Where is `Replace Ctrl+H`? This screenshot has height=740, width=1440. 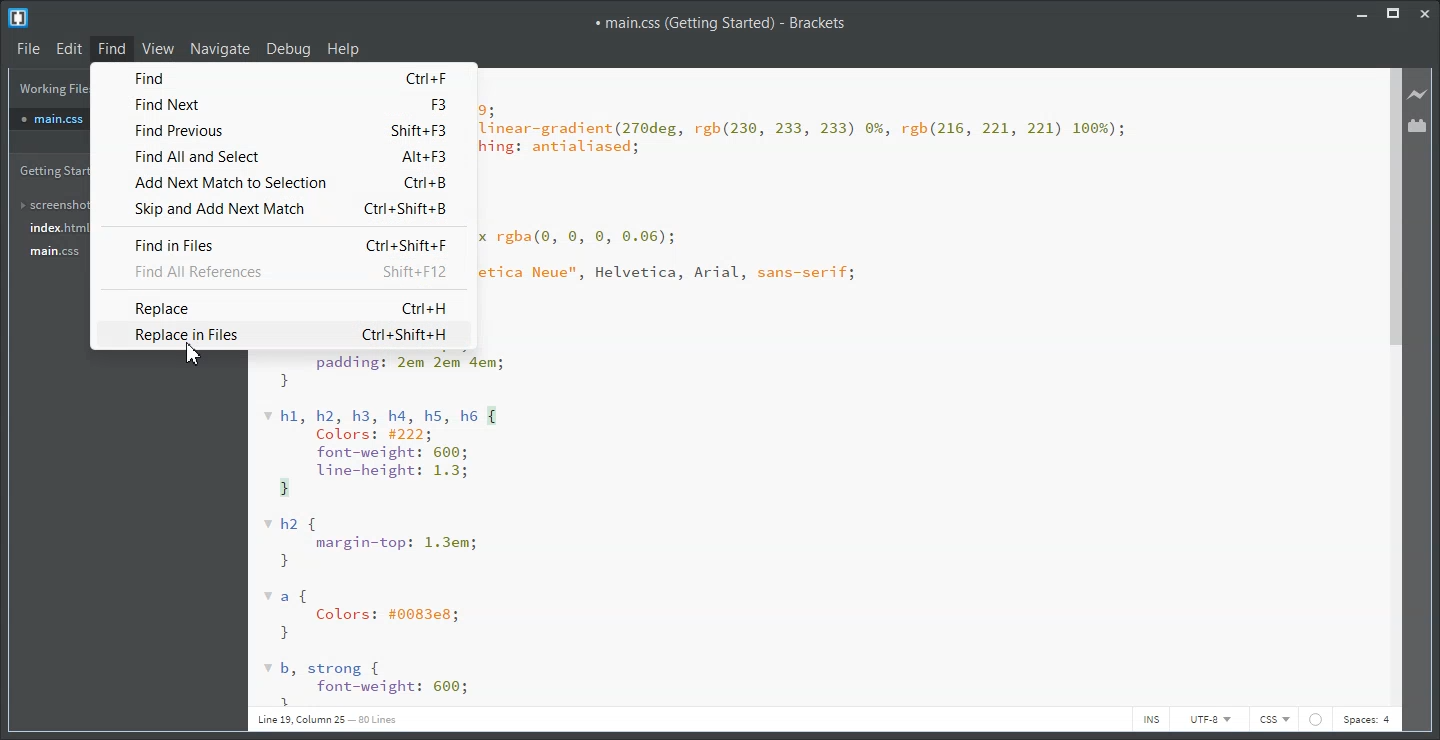
Replace Ctrl+H is located at coordinates (291, 308).